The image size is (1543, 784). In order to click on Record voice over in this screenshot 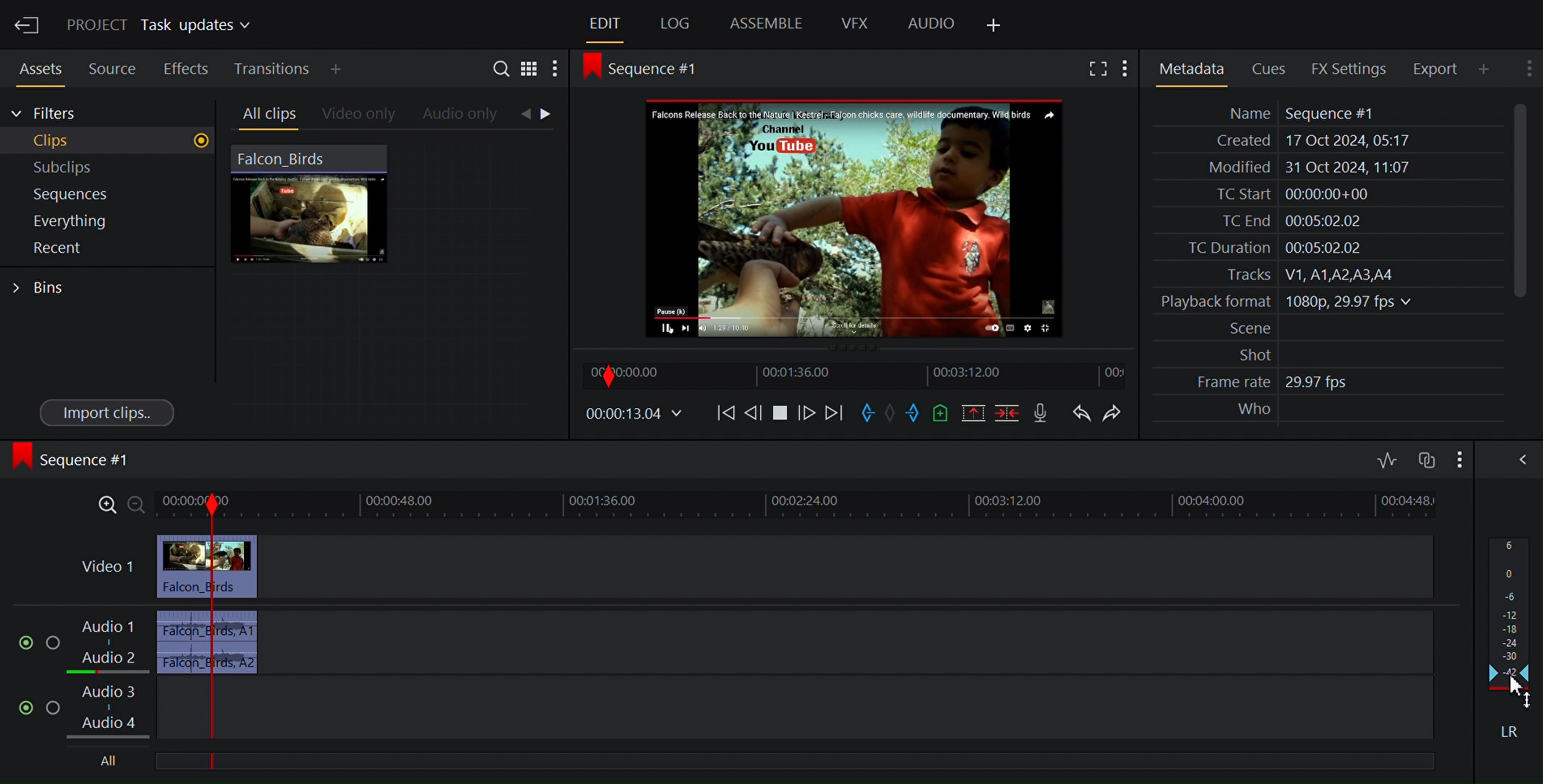, I will do `click(1043, 413)`.